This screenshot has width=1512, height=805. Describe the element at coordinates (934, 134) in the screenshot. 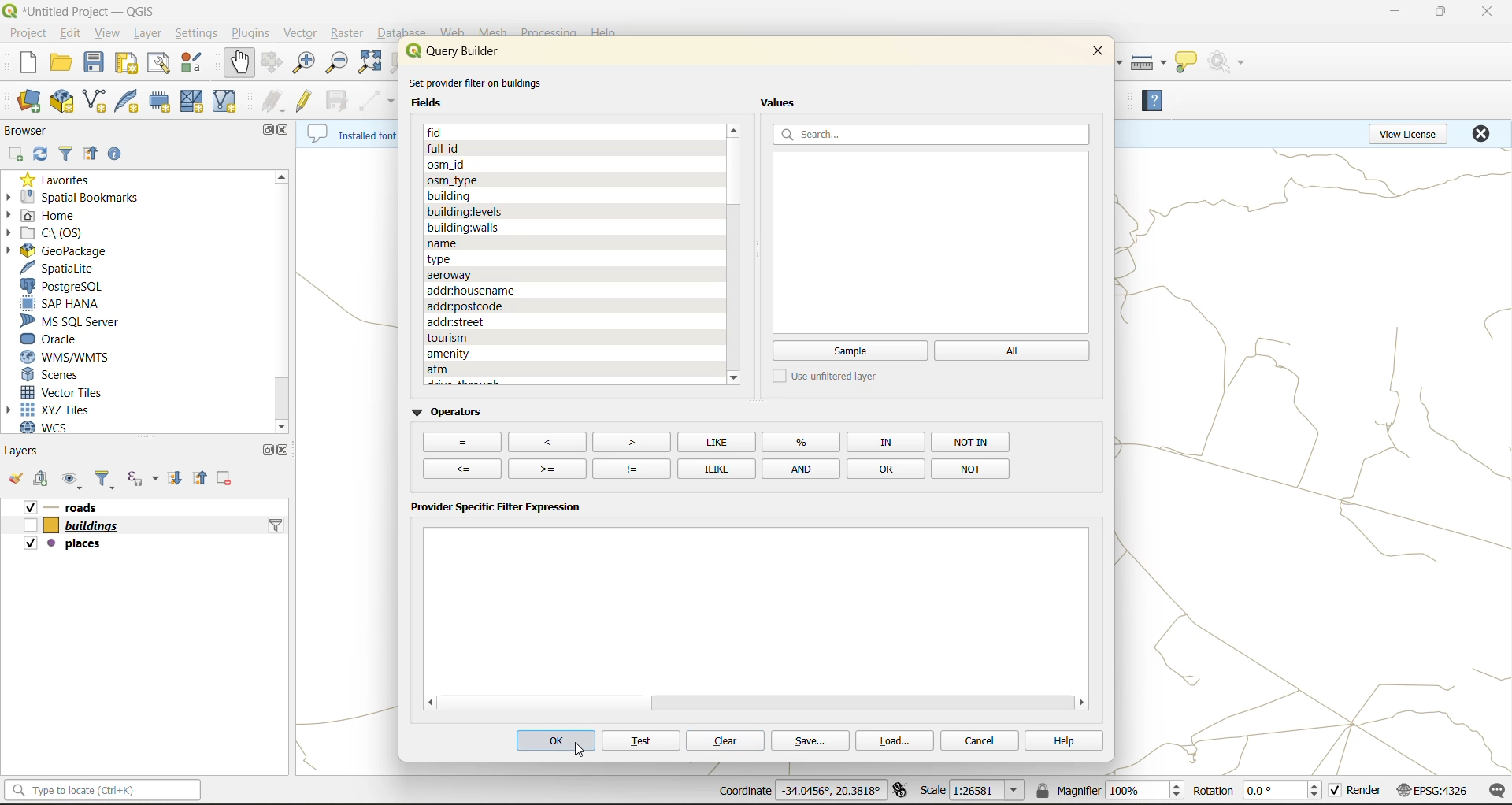

I see `search` at that location.